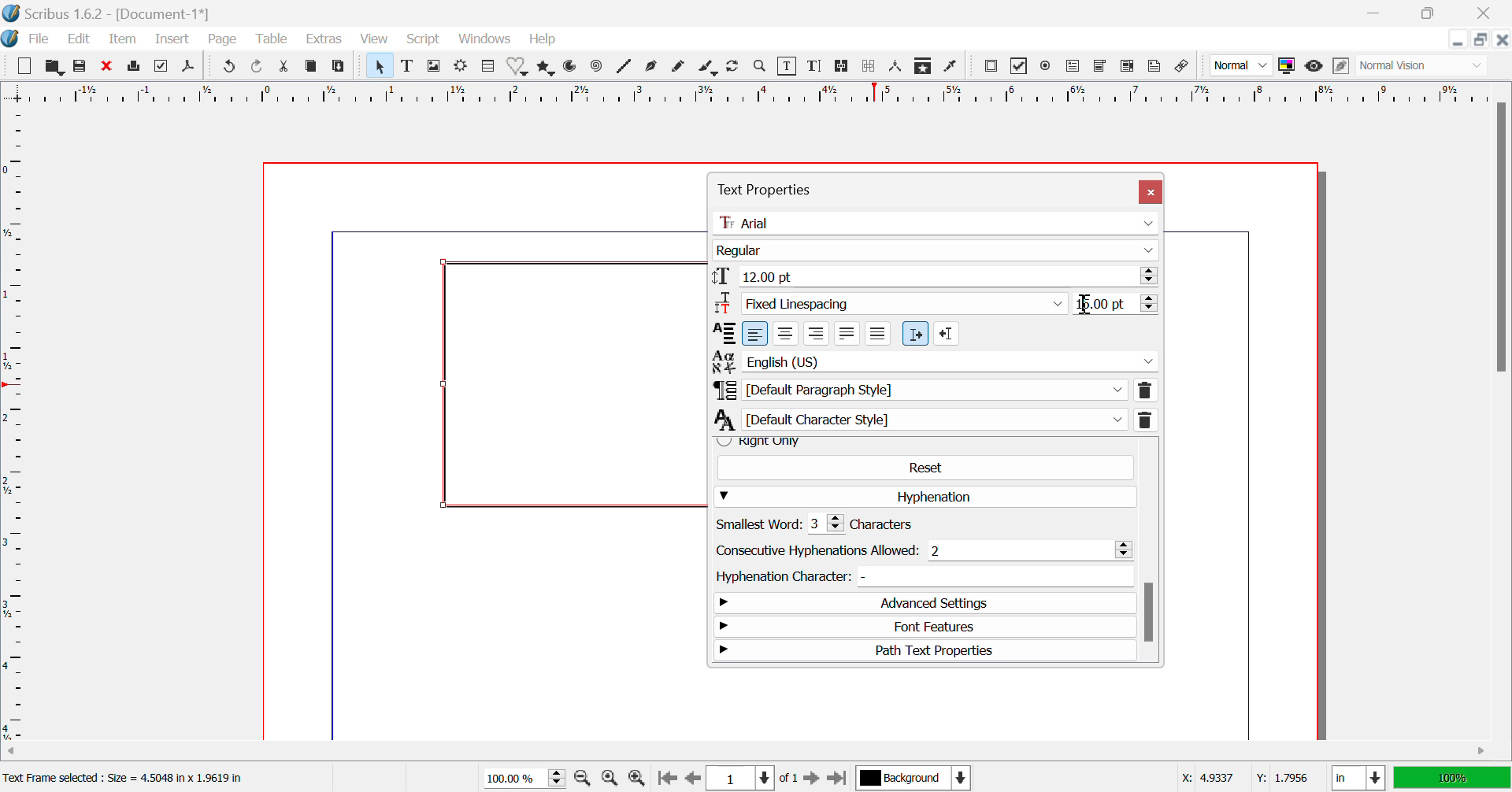 Image resolution: width=1512 pixels, height=792 pixels. I want to click on Default Character Style, so click(936, 419).